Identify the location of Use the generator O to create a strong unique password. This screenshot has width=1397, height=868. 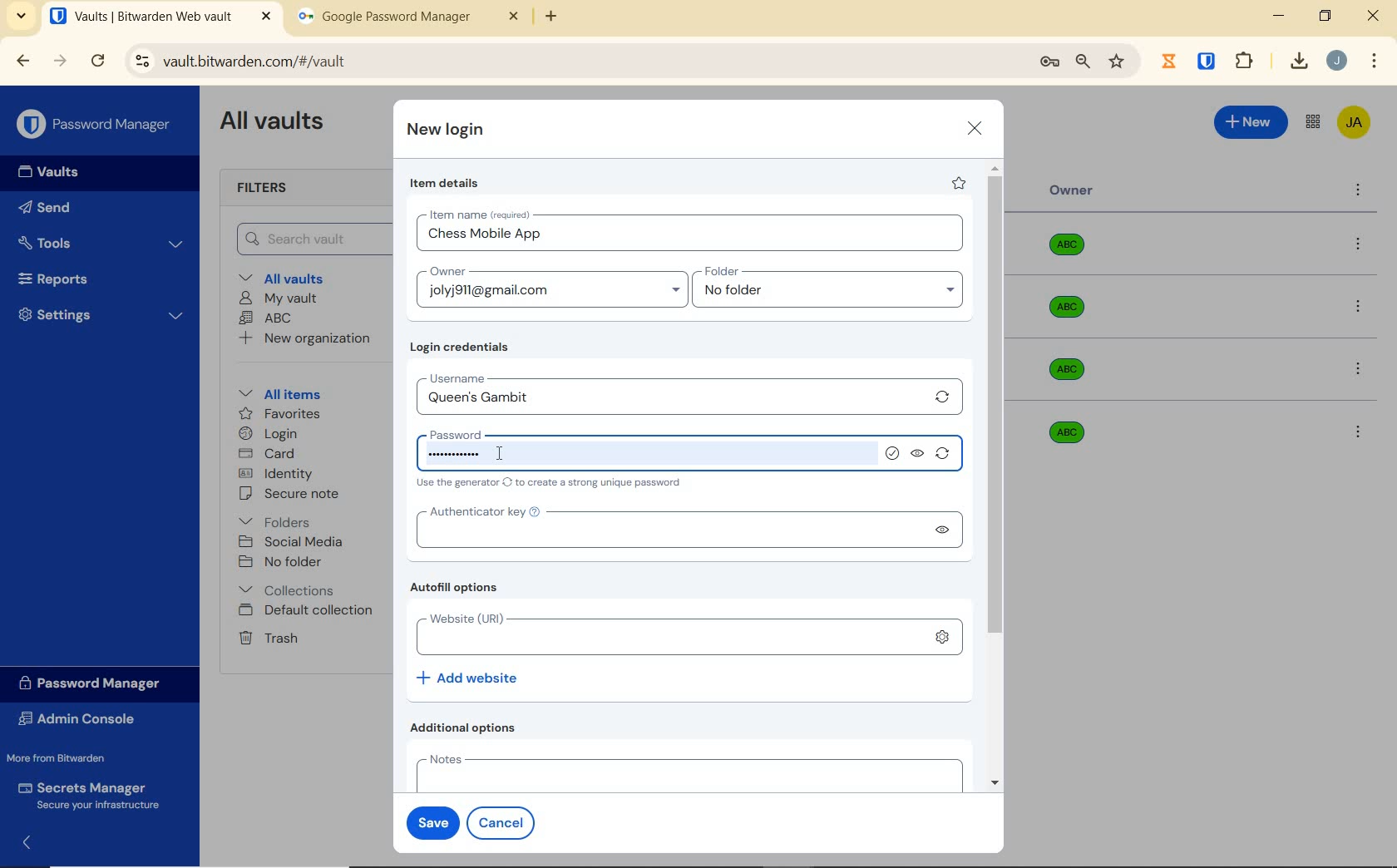
(552, 484).